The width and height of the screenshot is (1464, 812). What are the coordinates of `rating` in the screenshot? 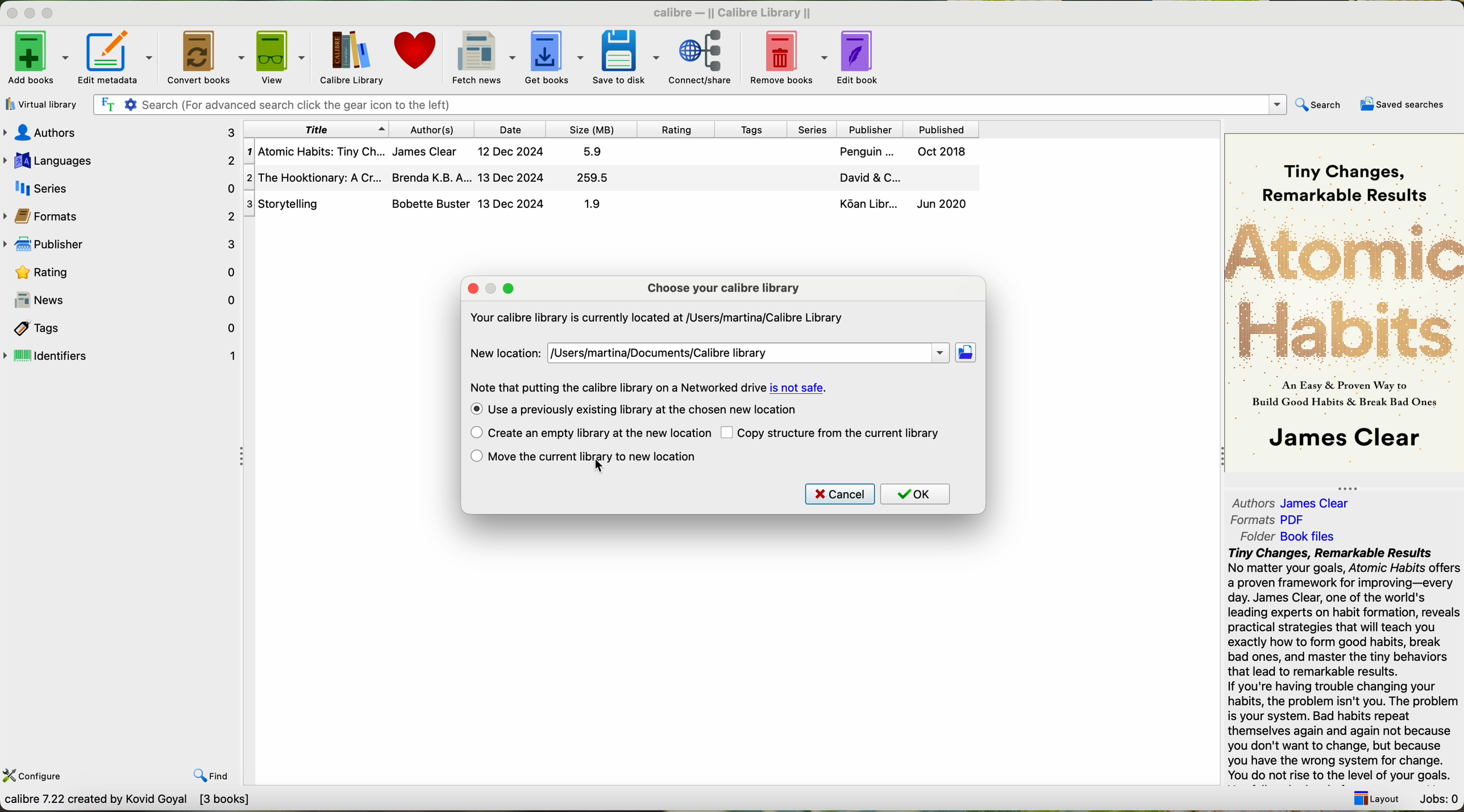 It's located at (122, 272).